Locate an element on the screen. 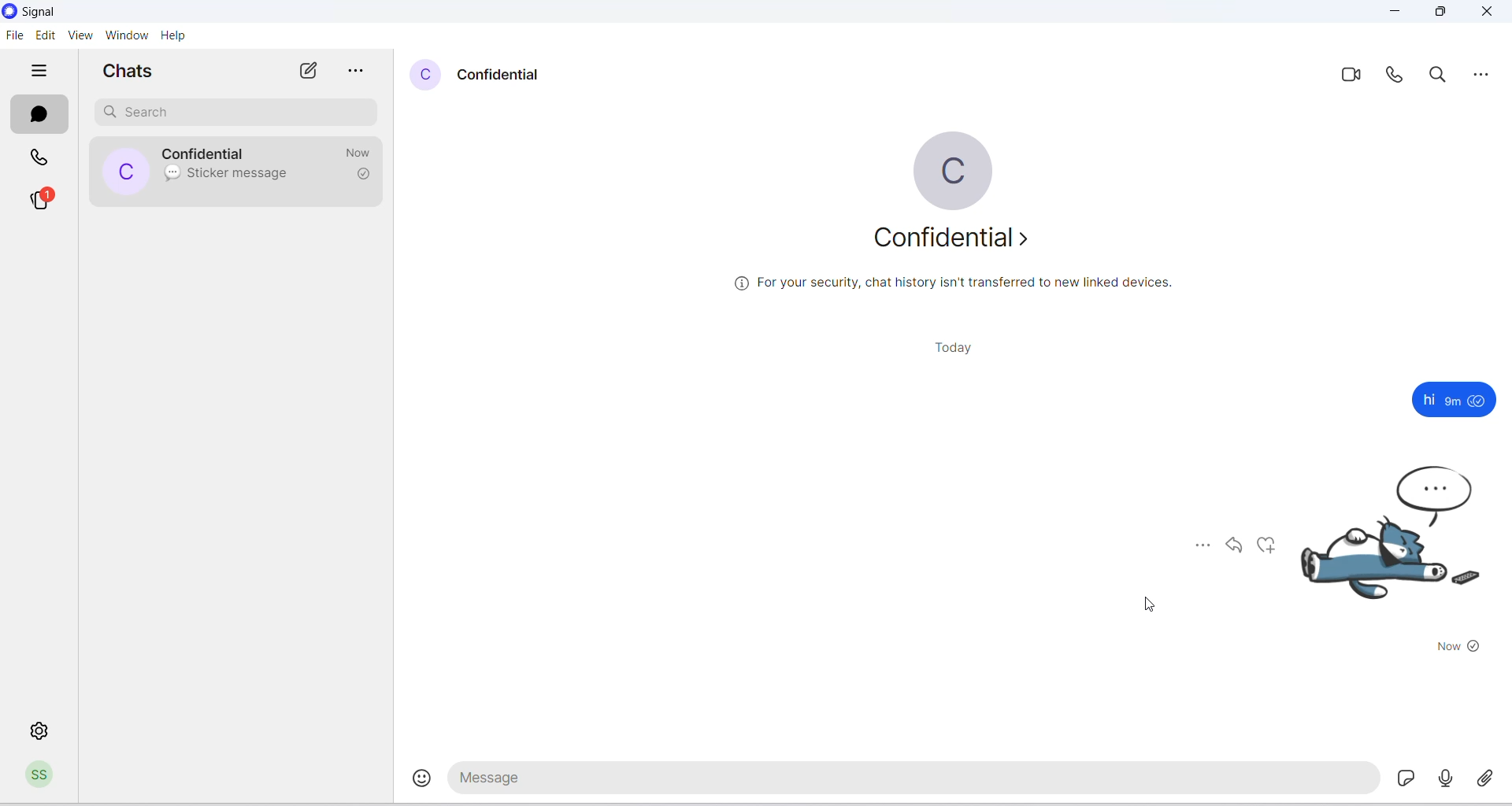  last message is located at coordinates (244, 175).